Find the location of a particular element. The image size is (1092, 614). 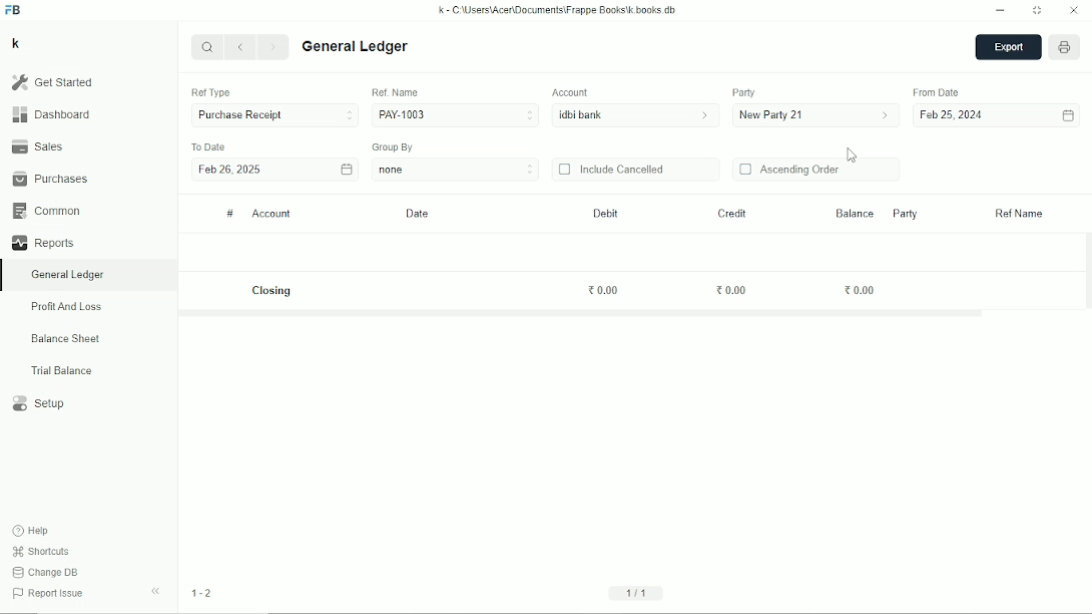

Dashboard is located at coordinates (51, 114).